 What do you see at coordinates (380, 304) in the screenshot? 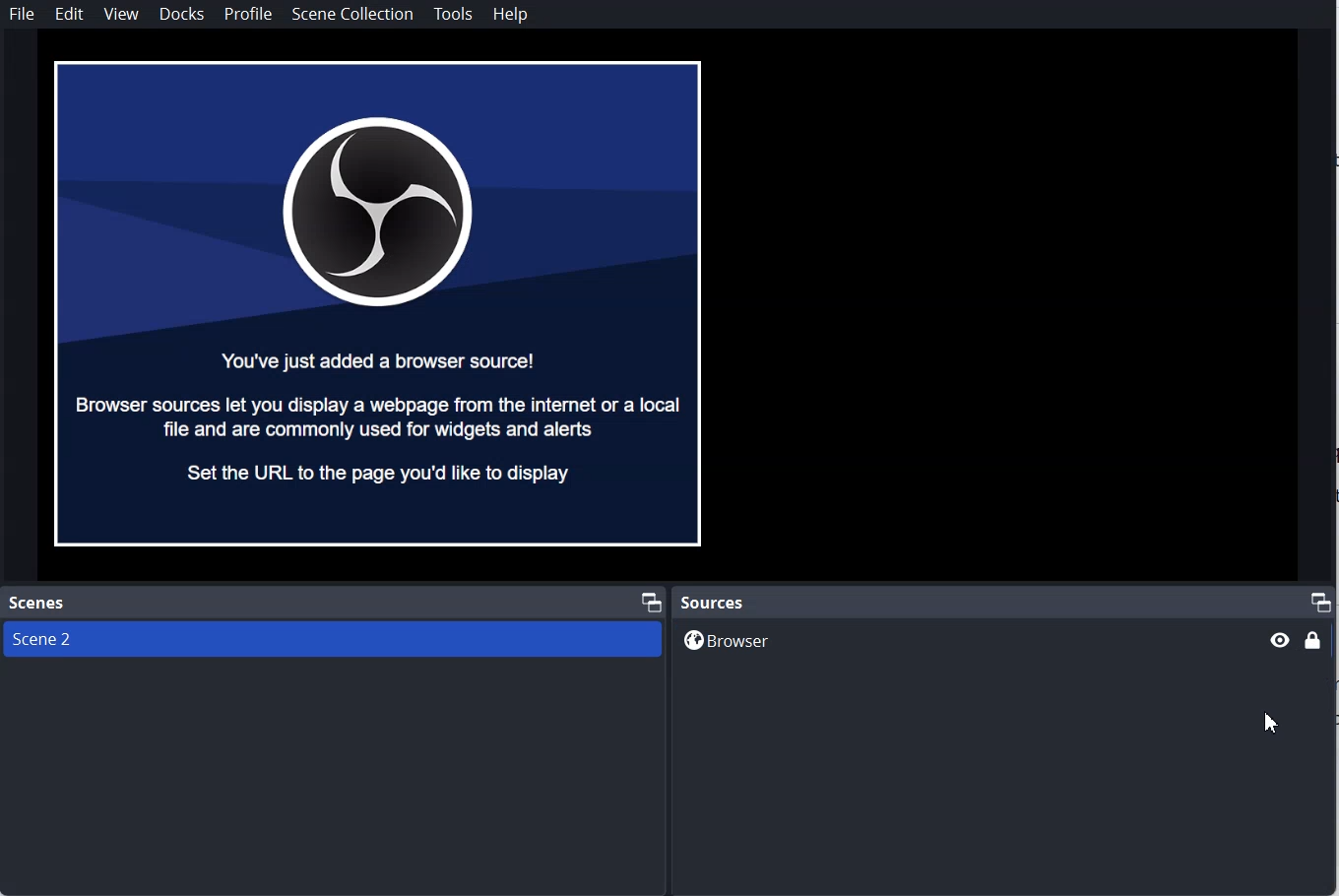
I see `File Preview` at bounding box center [380, 304].